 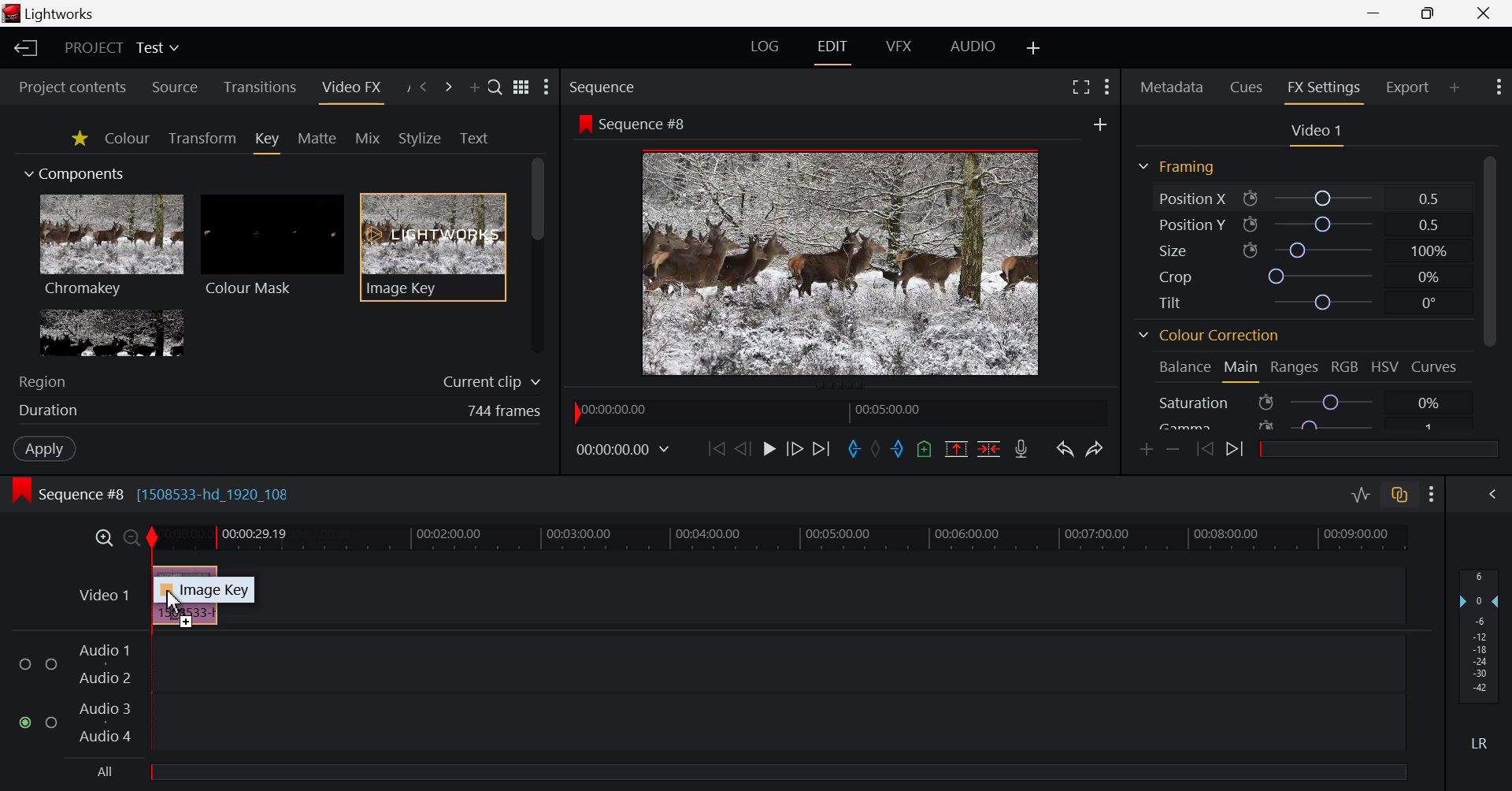 I want to click on icon, so click(x=1251, y=251).